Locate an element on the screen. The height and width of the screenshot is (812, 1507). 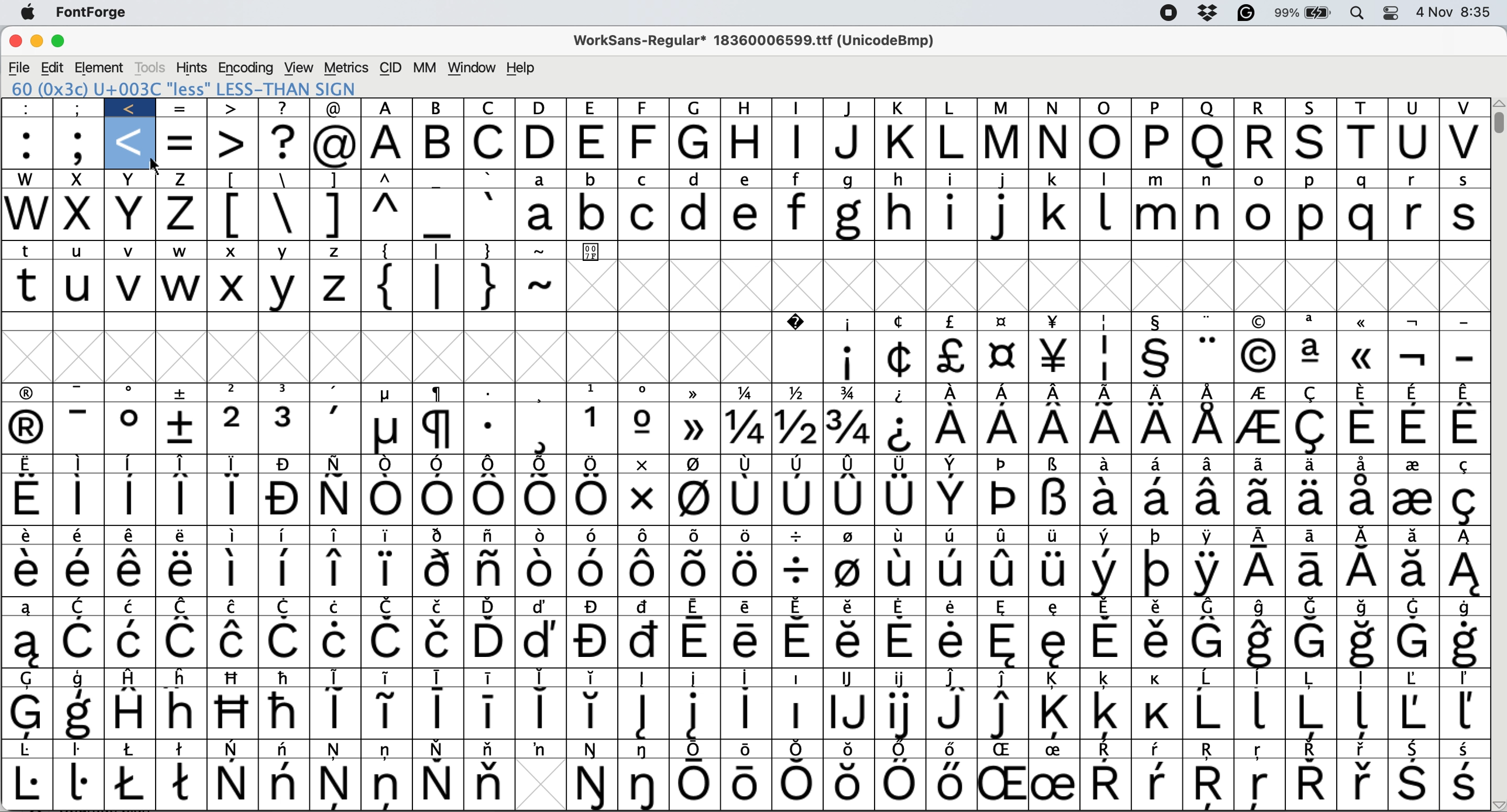
Symbol is located at coordinates (1364, 428).